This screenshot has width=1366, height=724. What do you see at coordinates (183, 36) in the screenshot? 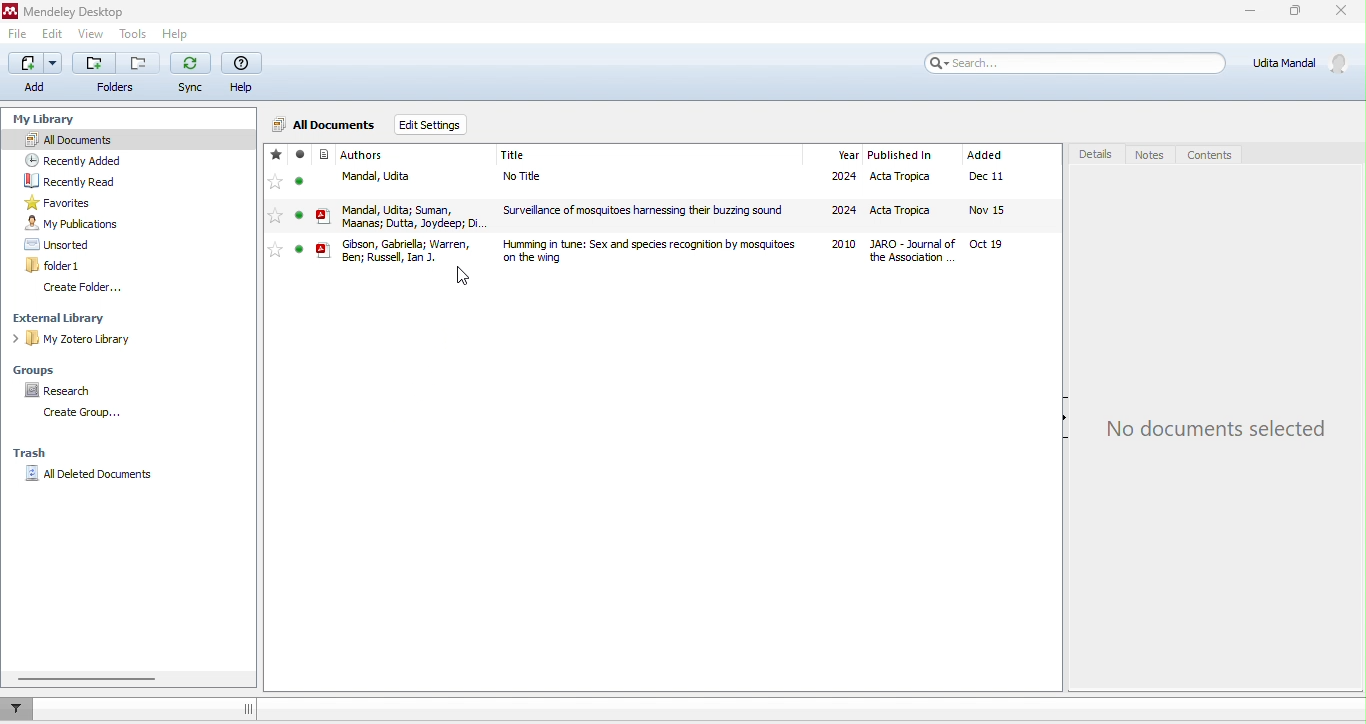
I see `help` at bounding box center [183, 36].